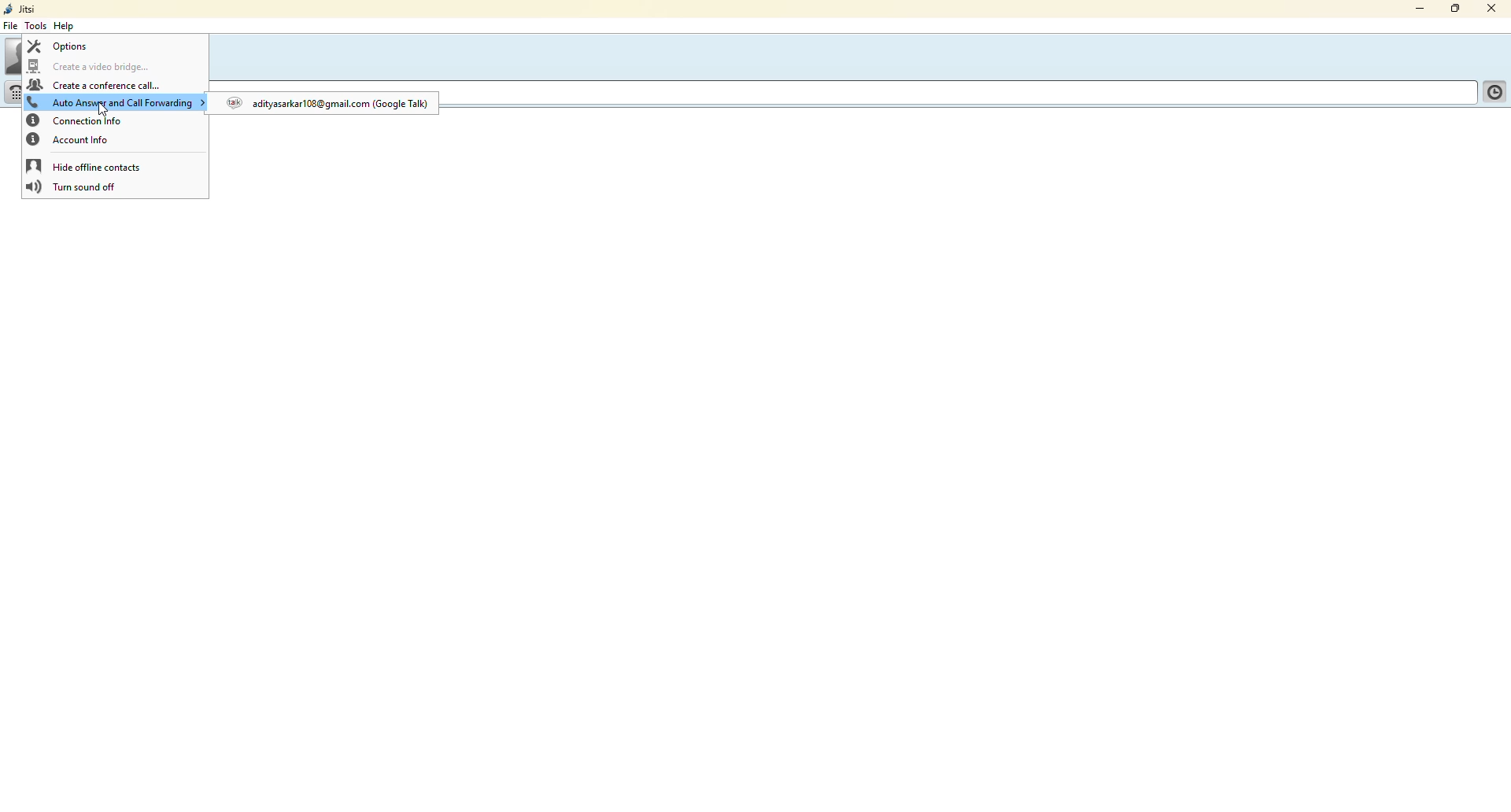  What do you see at coordinates (63, 46) in the screenshot?
I see `options` at bounding box center [63, 46].